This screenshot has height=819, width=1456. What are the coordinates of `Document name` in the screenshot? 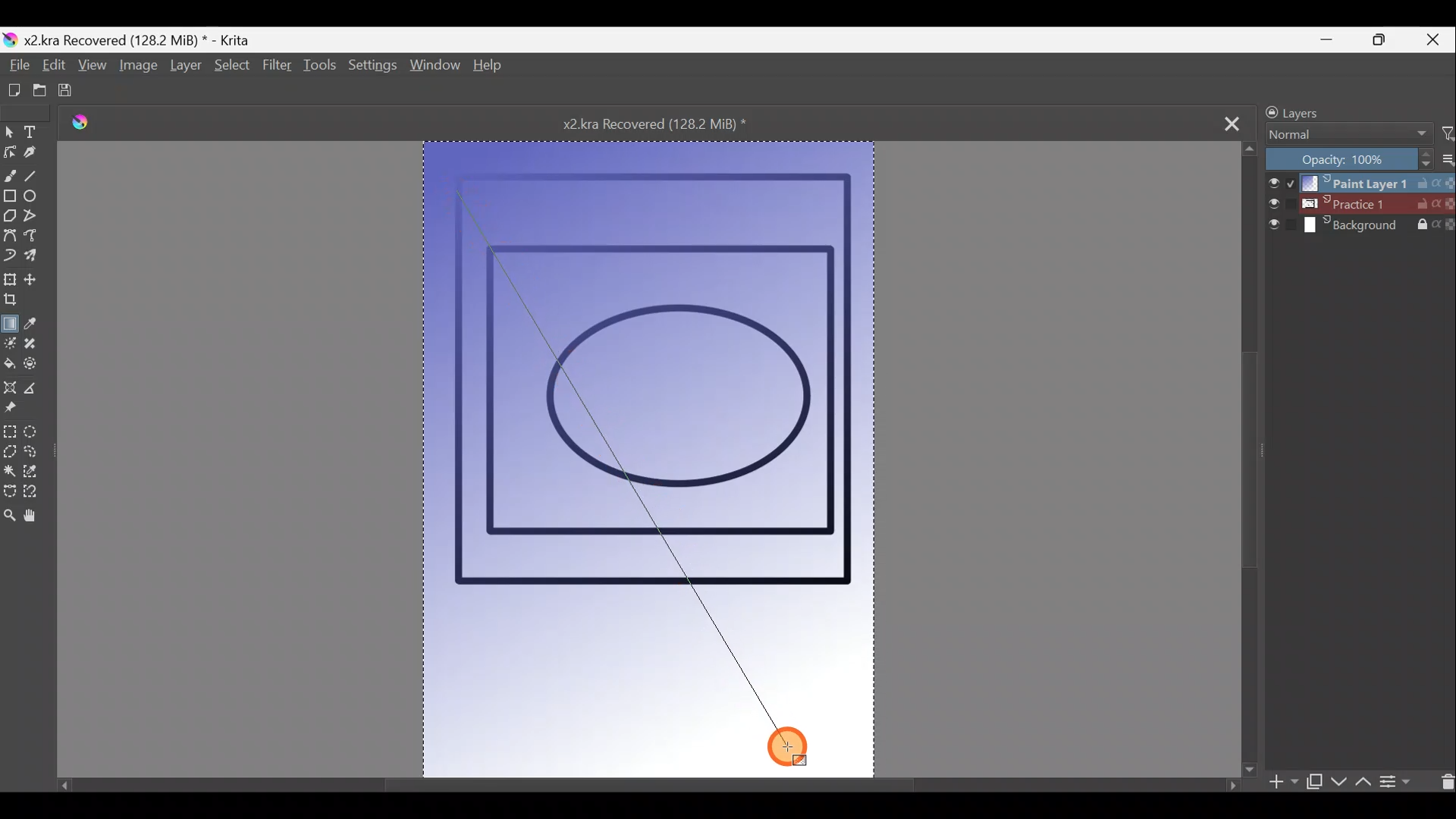 It's located at (132, 39).